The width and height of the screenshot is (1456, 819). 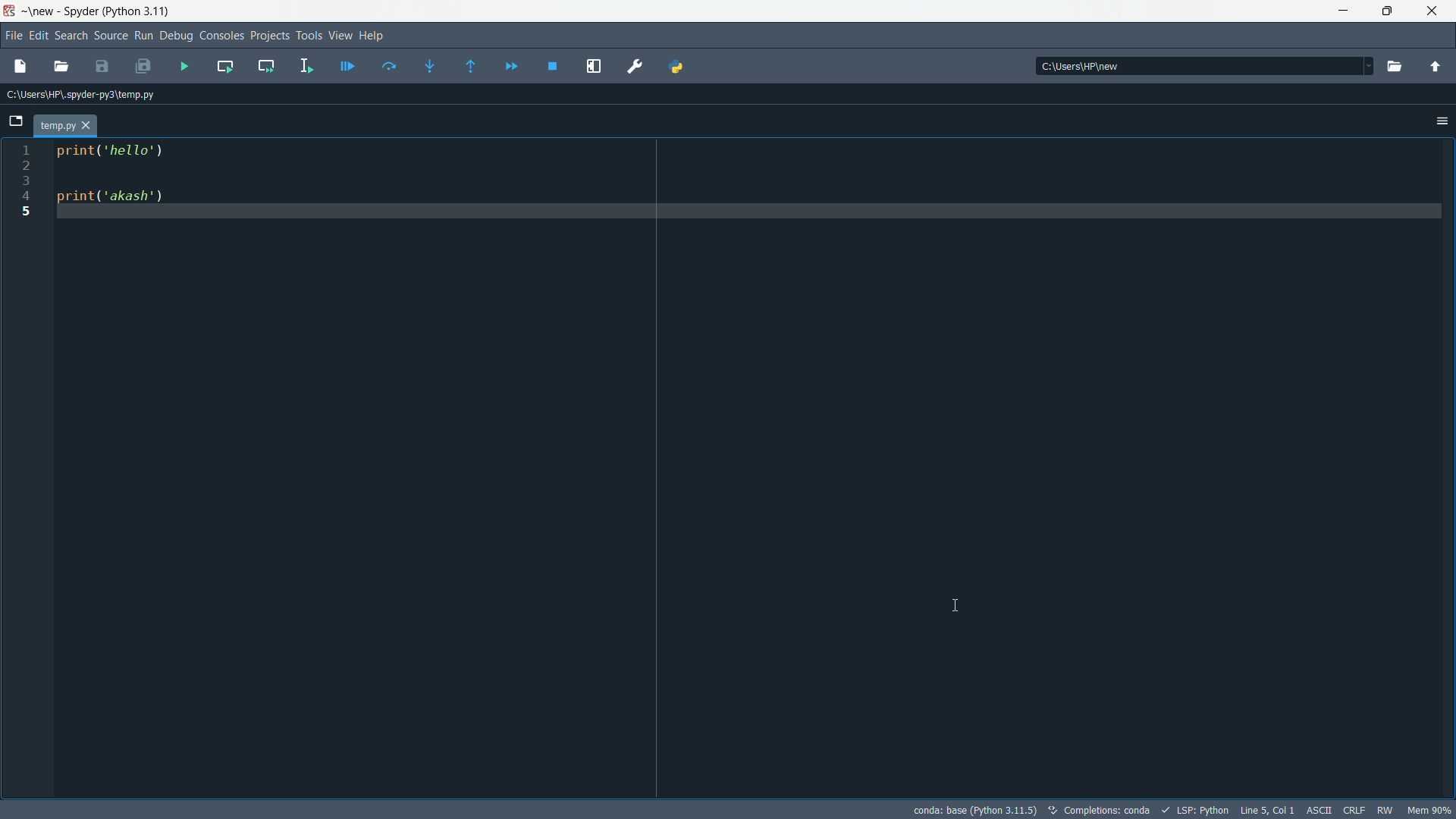 I want to click on browse directory, so click(x=1396, y=67).